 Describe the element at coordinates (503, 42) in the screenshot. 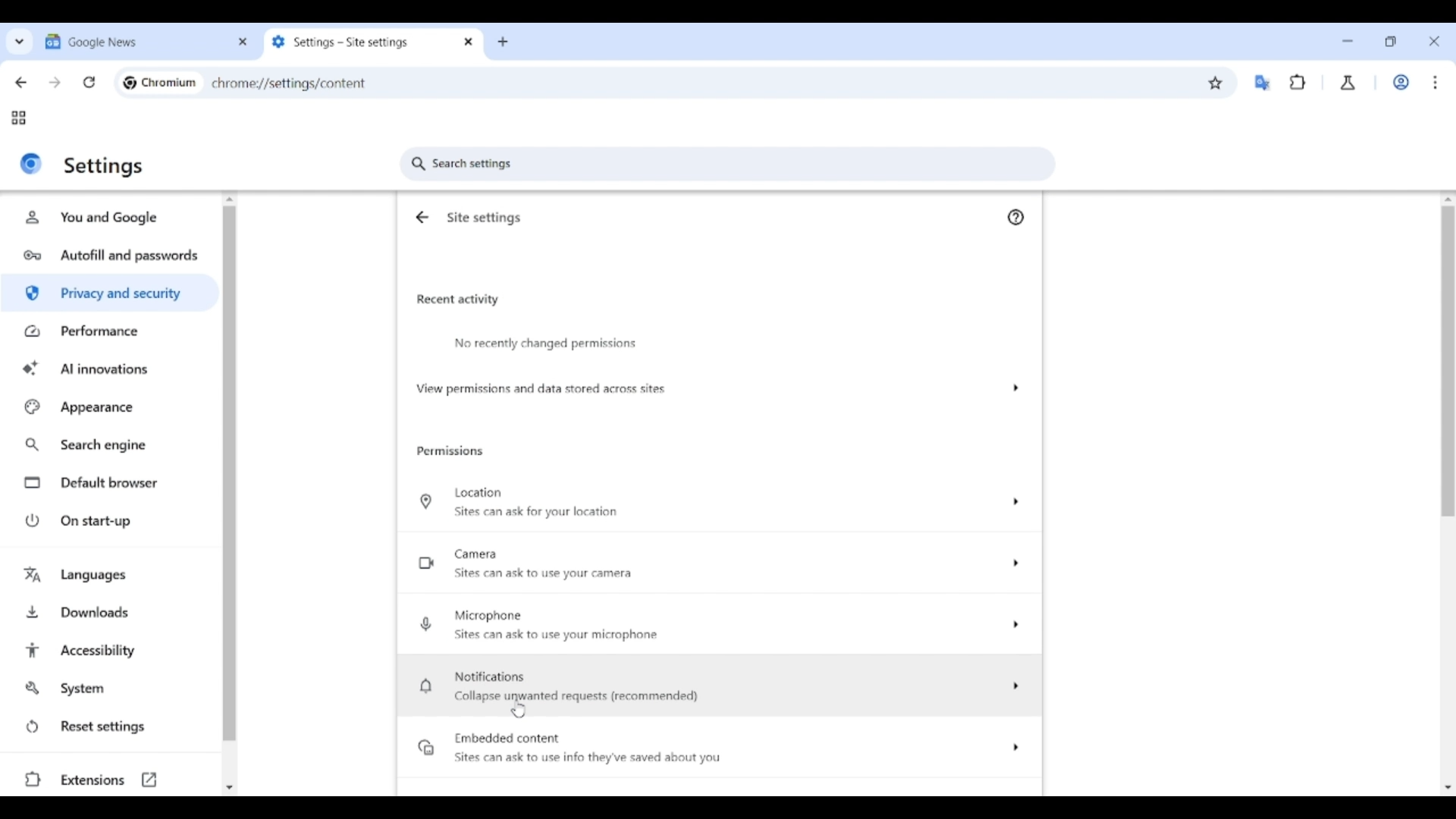

I see `Add new tab` at that location.